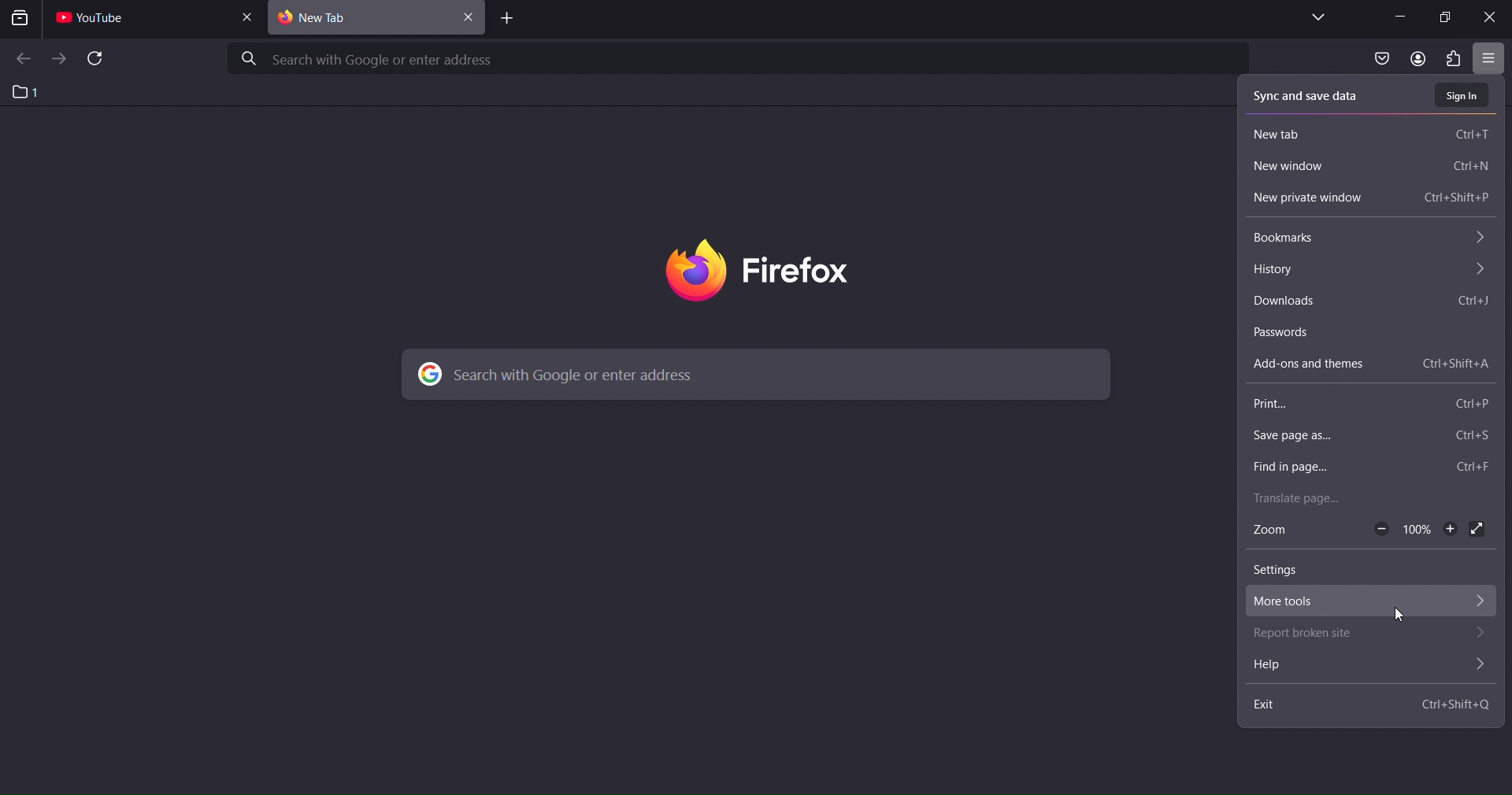 The image size is (1512, 795). What do you see at coordinates (1279, 708) in the screenshot?
I see `exit` at bounding box center [1279, 708].